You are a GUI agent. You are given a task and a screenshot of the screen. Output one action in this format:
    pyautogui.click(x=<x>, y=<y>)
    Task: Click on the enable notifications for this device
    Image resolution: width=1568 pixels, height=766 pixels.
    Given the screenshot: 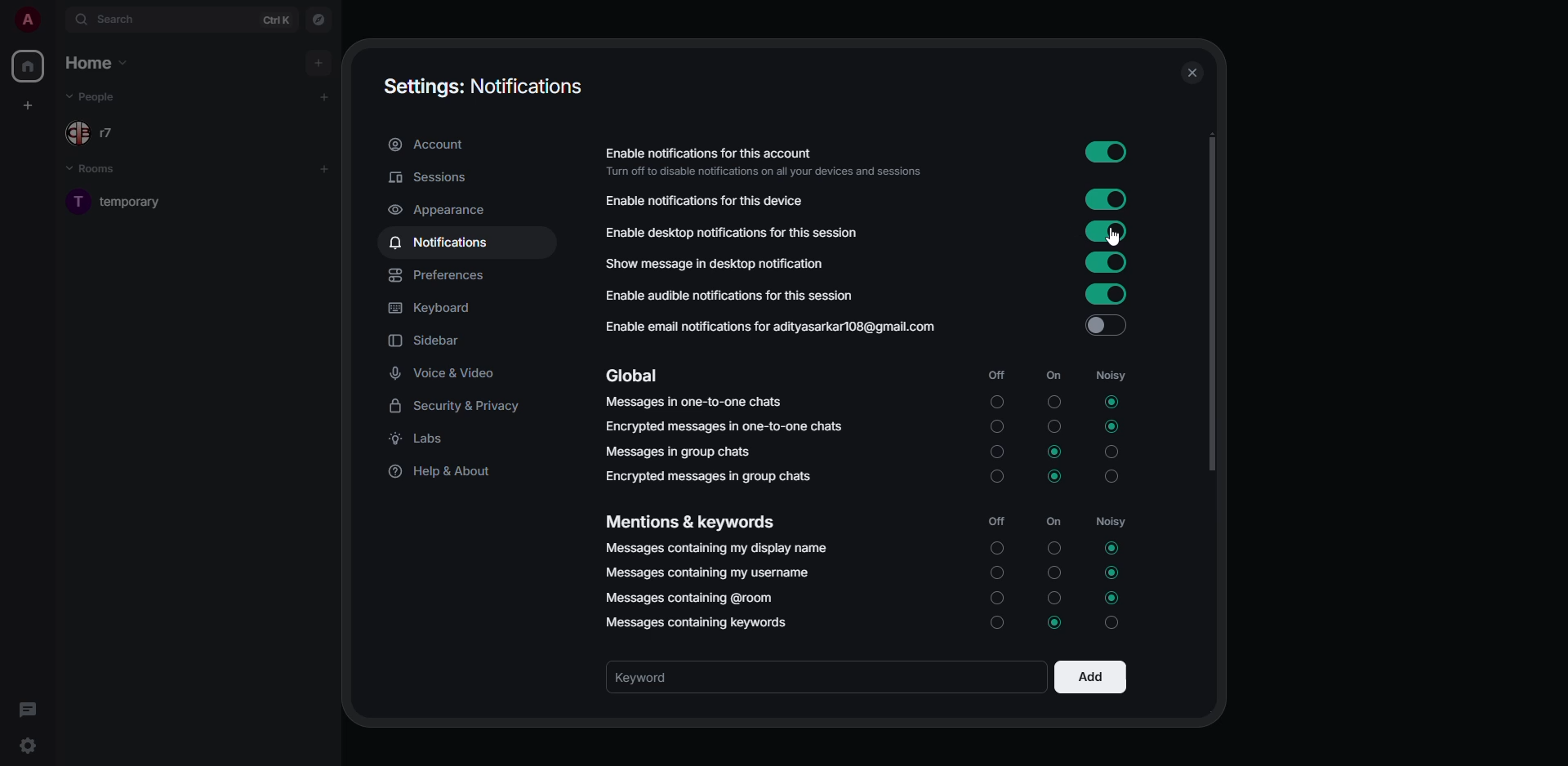 What is the action you would take?
    pyautogui.click(x=702, y=201)
    